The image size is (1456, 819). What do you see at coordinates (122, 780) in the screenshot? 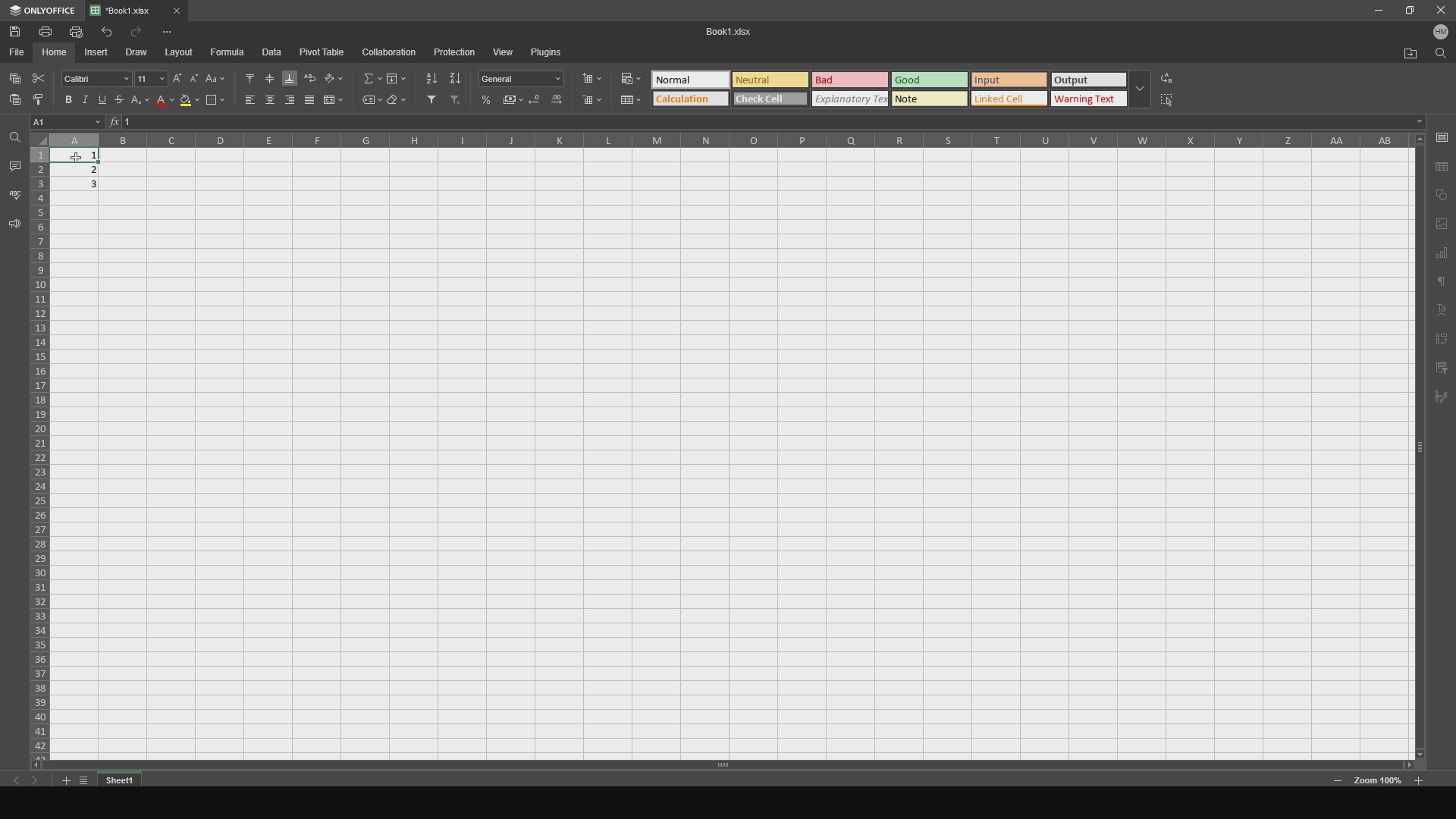
I see `sheet` at bounding box center [122, 780].